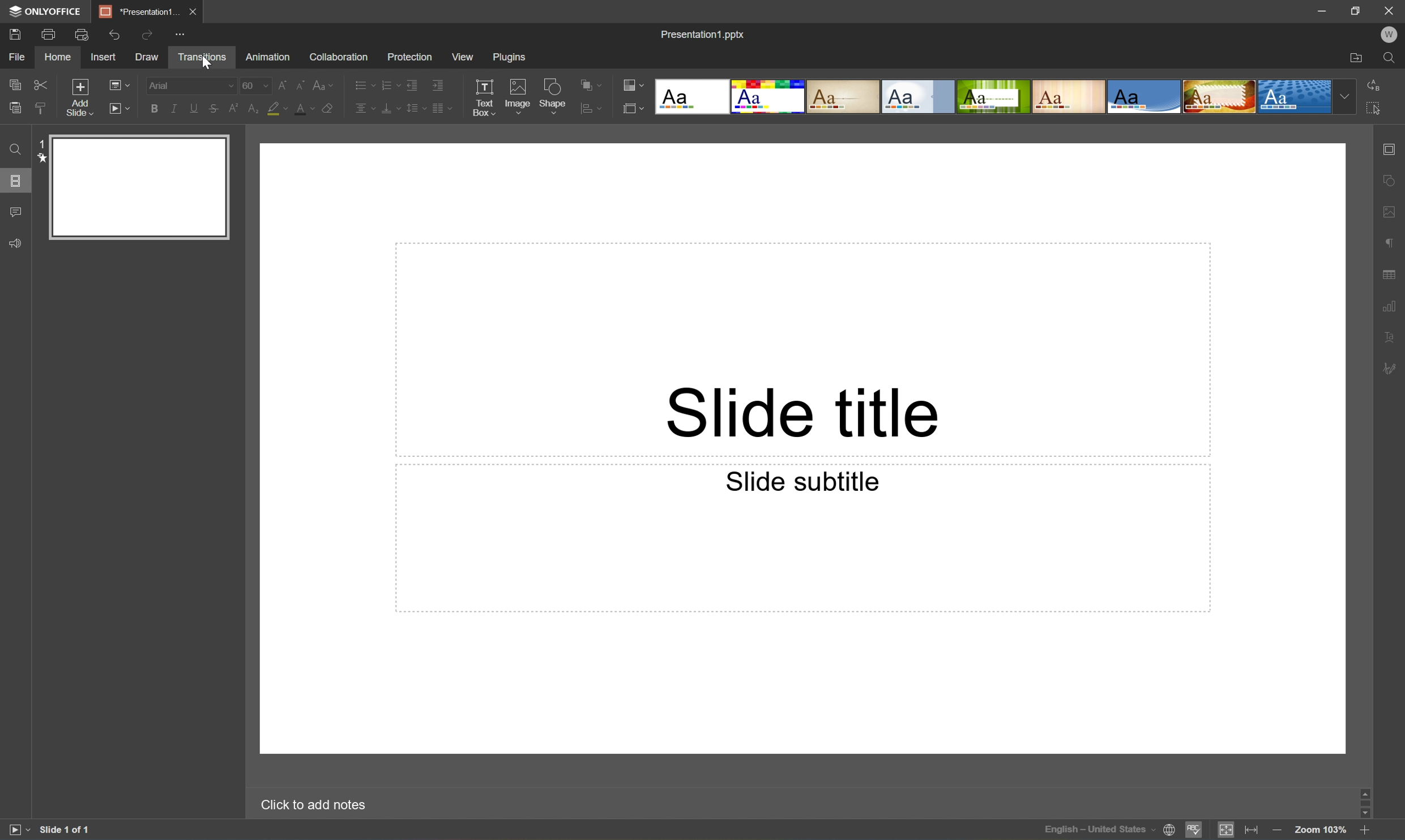 This screenshot has width=1405, height=840. Describe the element at coordinates (65, 829) in the screenshot. I see `Slide 1 of 1` at that location.